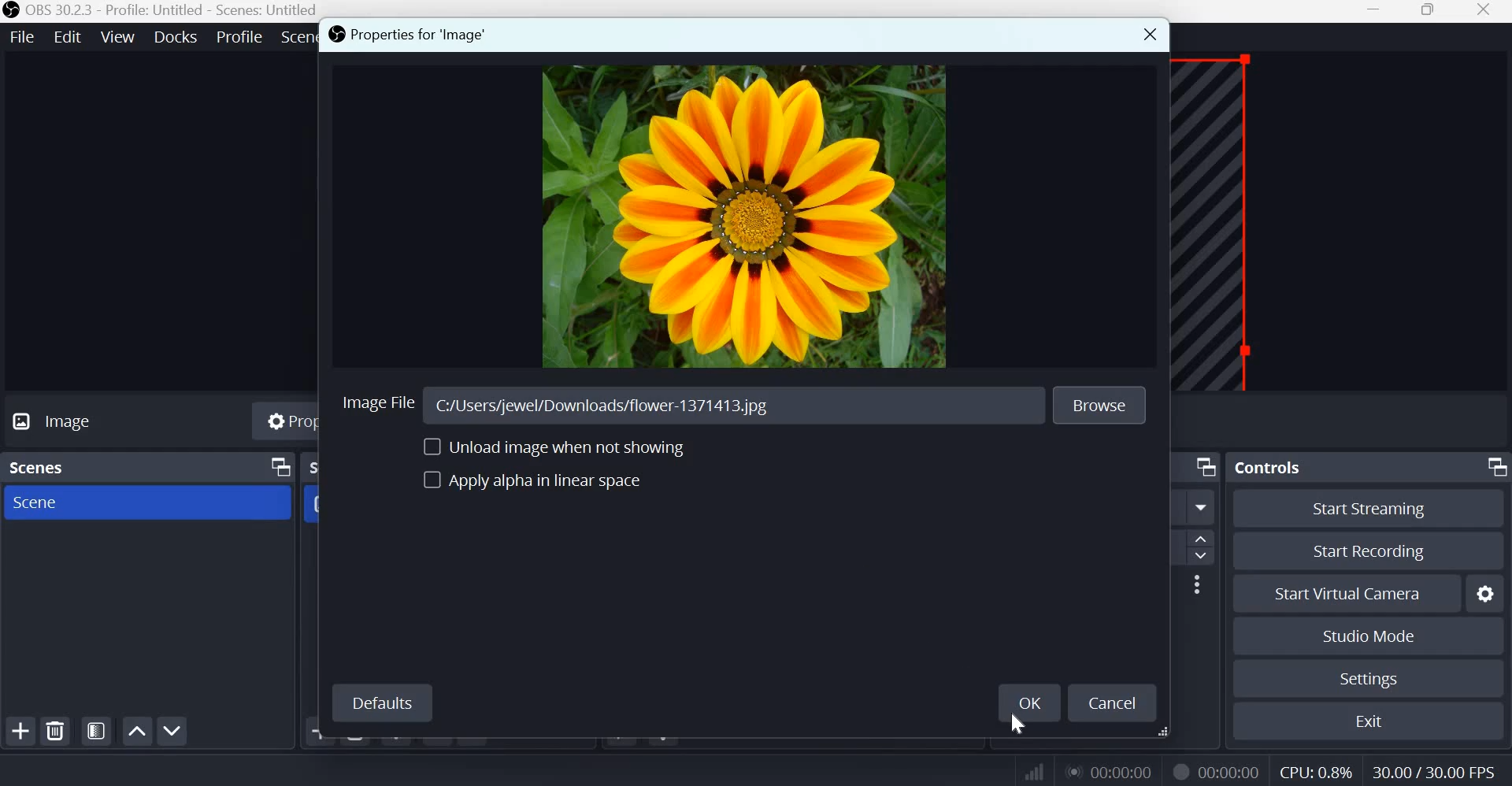 This screenshot has height=786, width=1512. I want to click on Add scene, so click(24, 730).